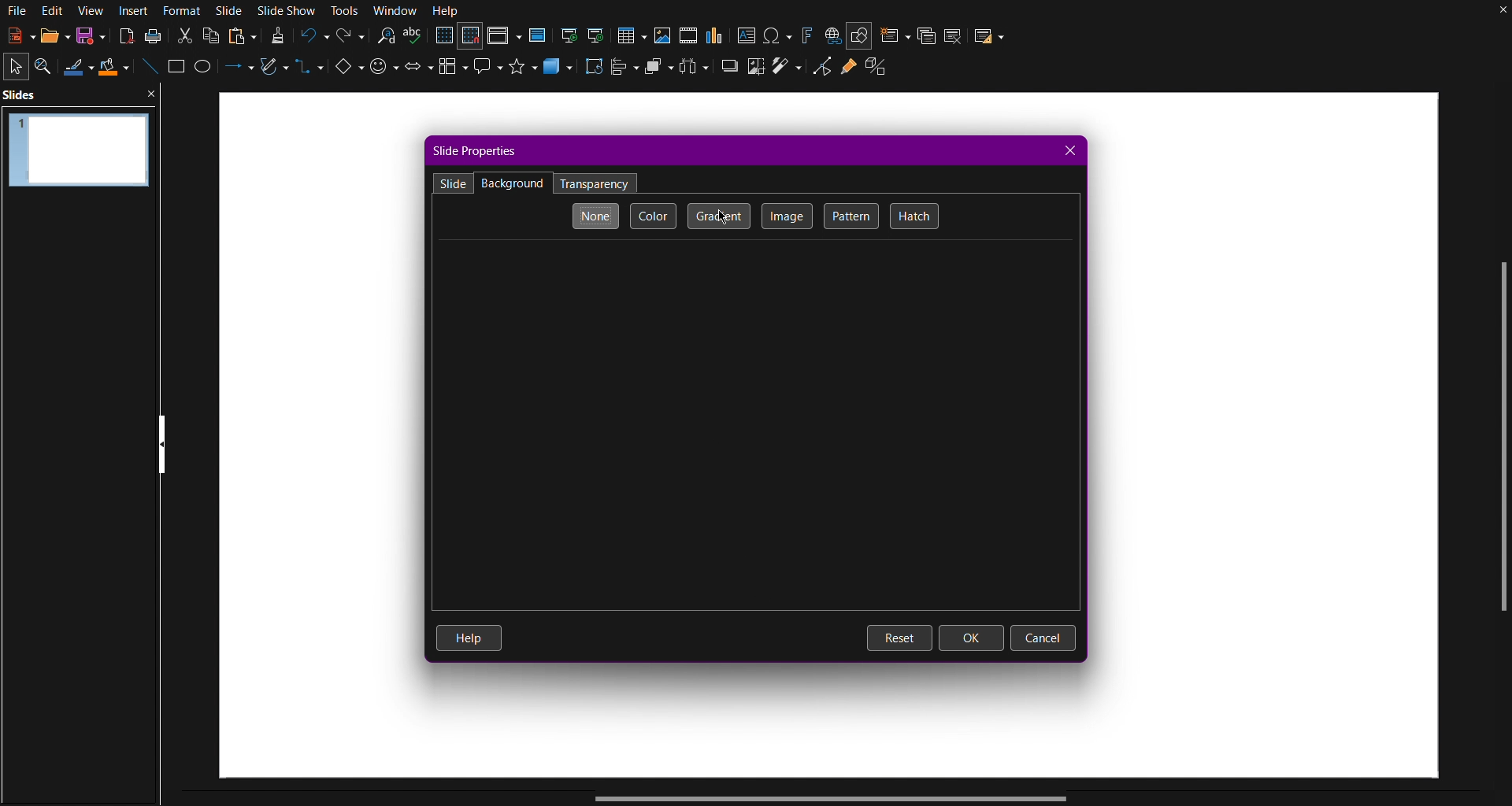  I want to click on Export PDF, so click(124, 36).